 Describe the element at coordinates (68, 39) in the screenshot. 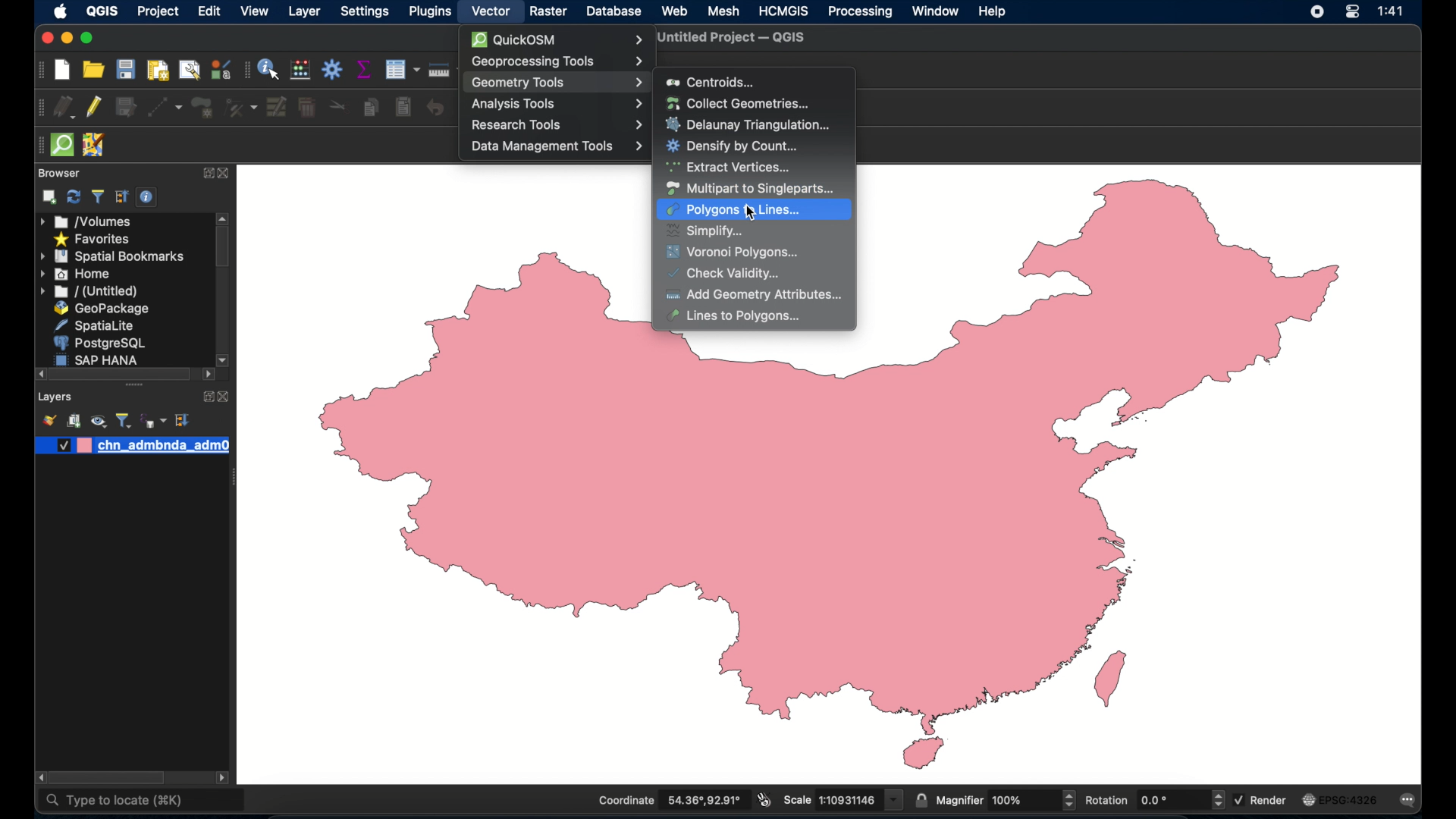

I see `minimize` at that location.